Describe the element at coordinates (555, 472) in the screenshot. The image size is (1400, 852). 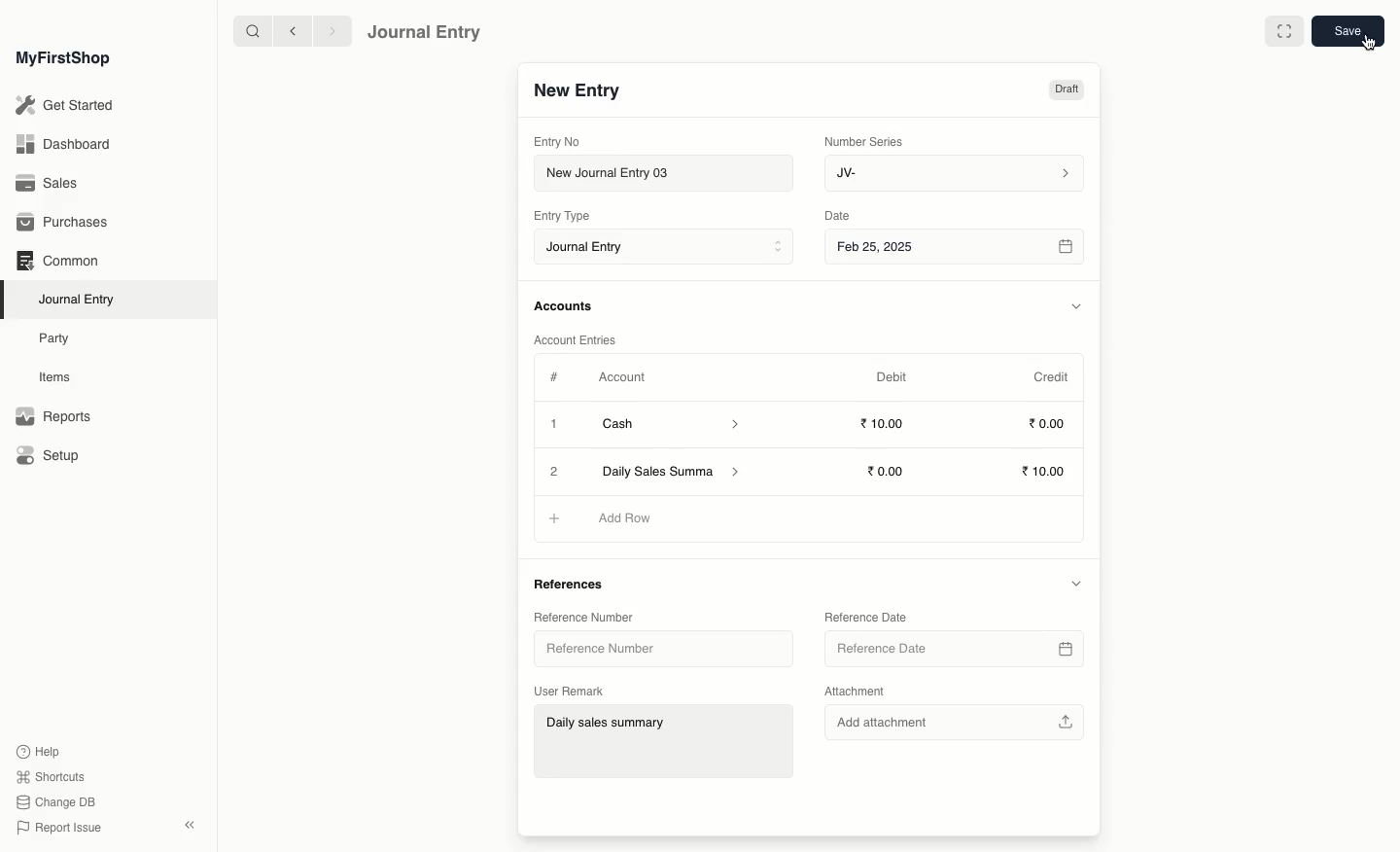
I see `Close` at that location.